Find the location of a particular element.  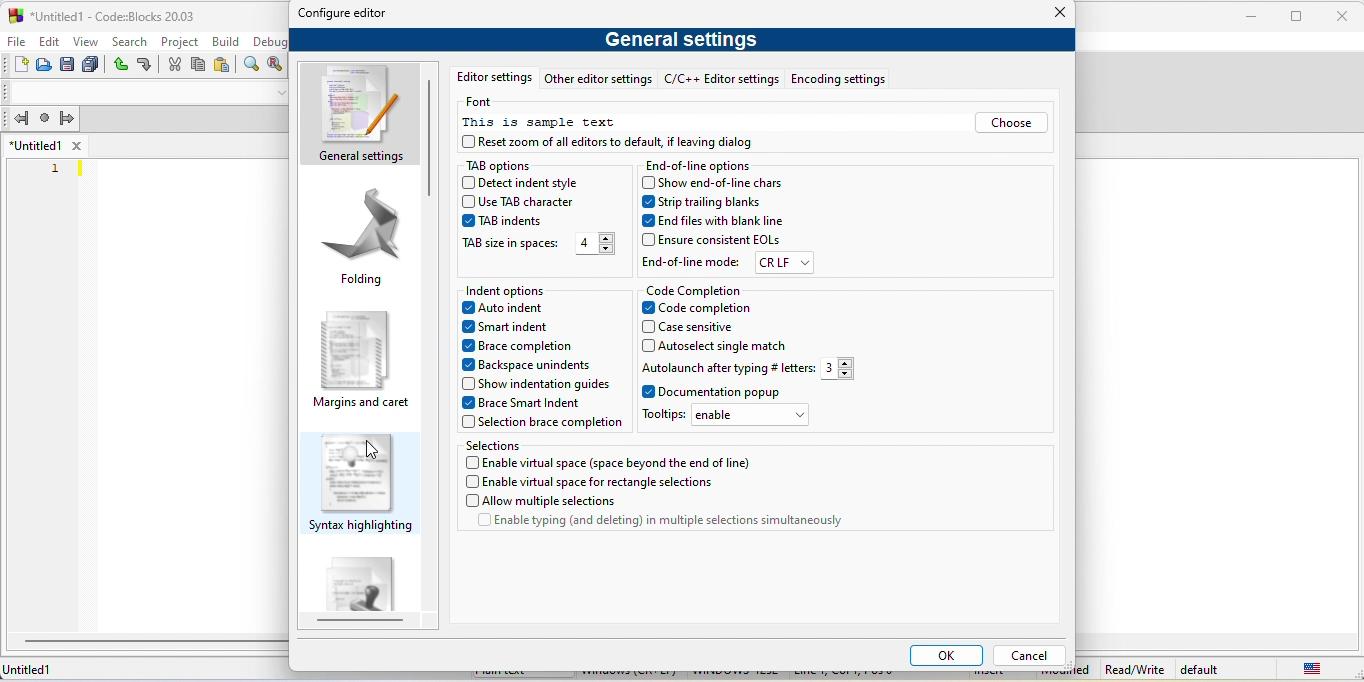

selection is located at coordinates (496, 445).